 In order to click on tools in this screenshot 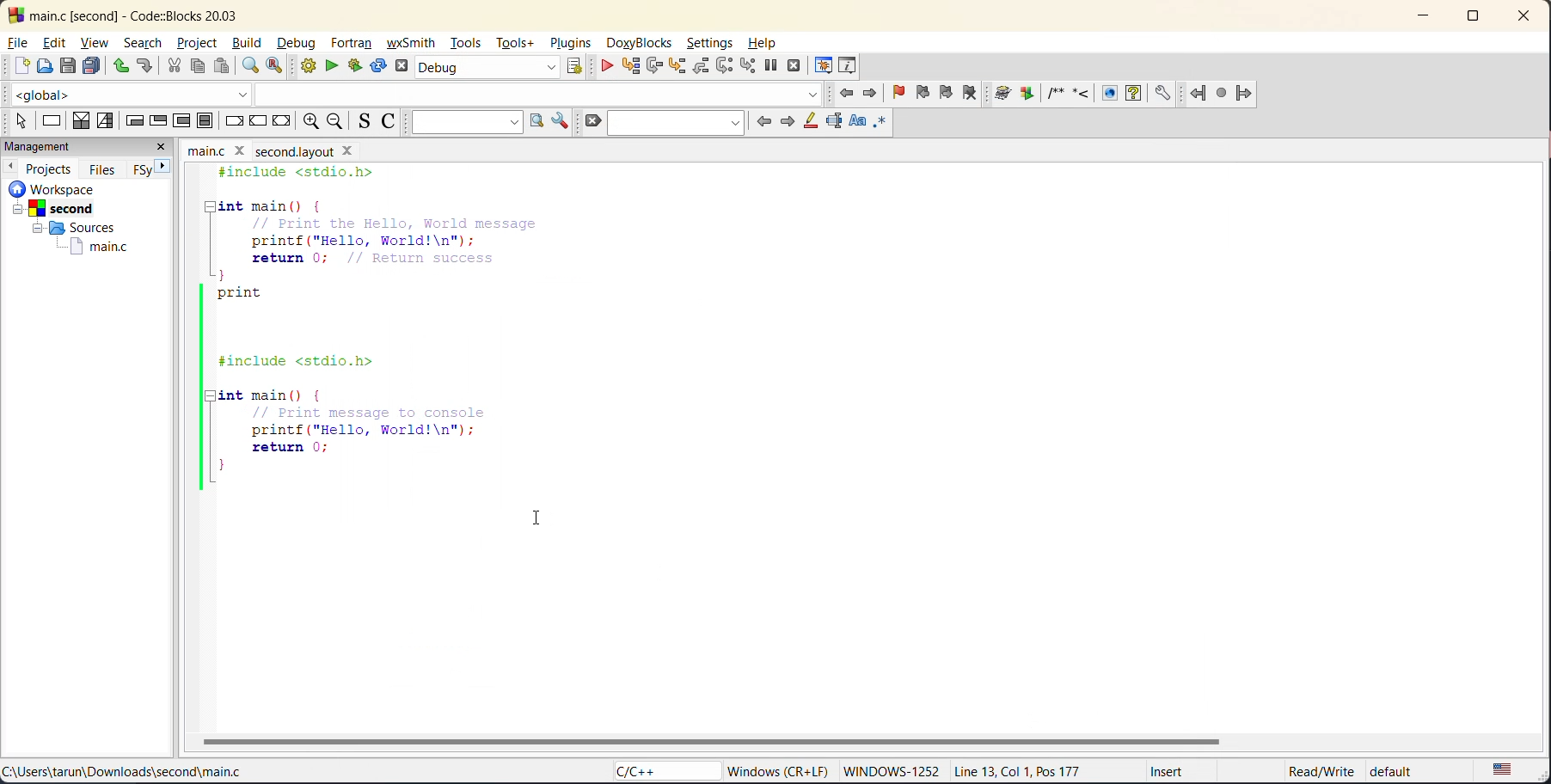, I will do `click(466, 45)`.